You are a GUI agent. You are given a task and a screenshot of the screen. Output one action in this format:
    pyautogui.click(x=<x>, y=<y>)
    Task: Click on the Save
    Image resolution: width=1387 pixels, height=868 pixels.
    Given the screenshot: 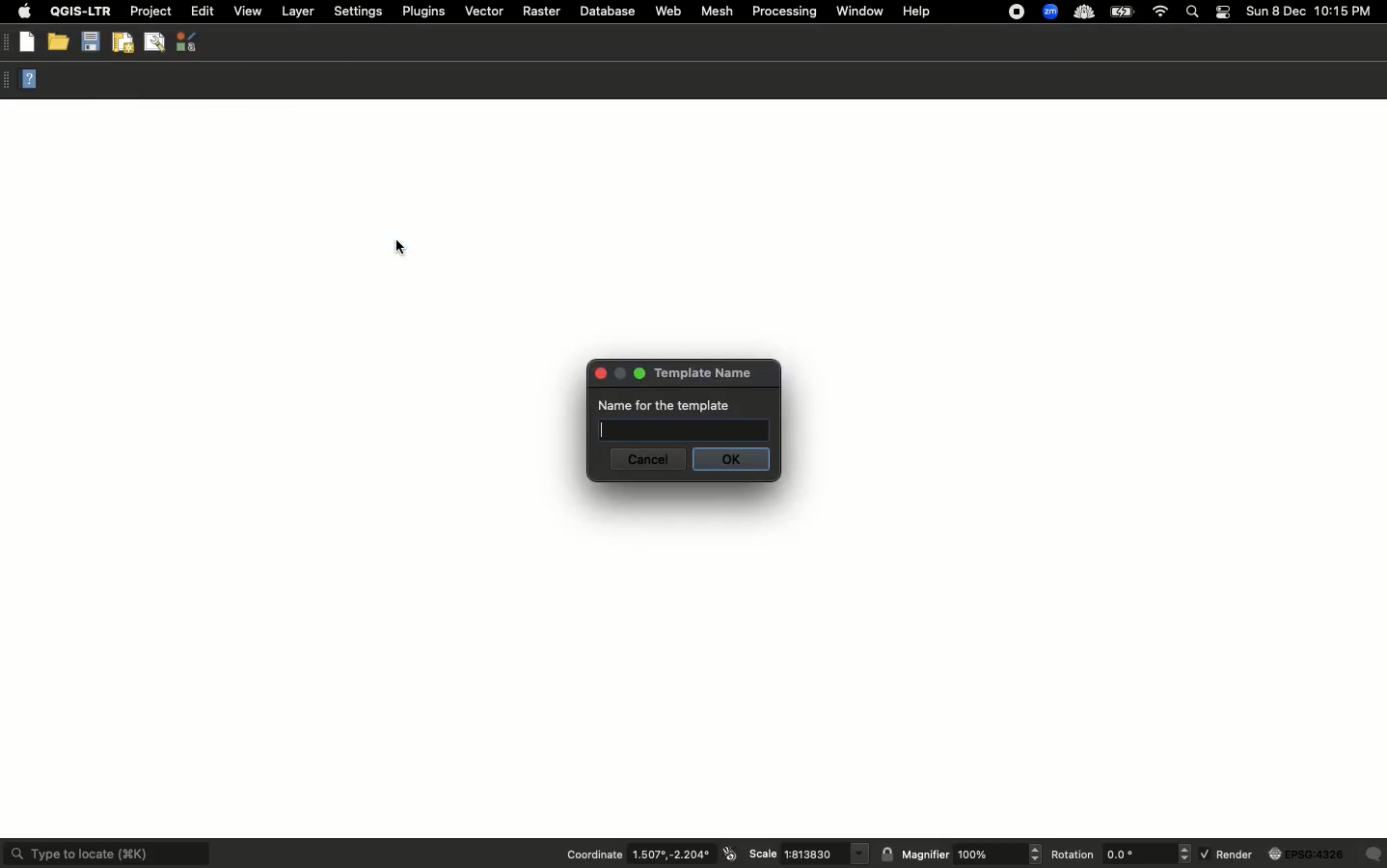 What is the action you would take?
    pyautogui.click(x=90, y=44)
    